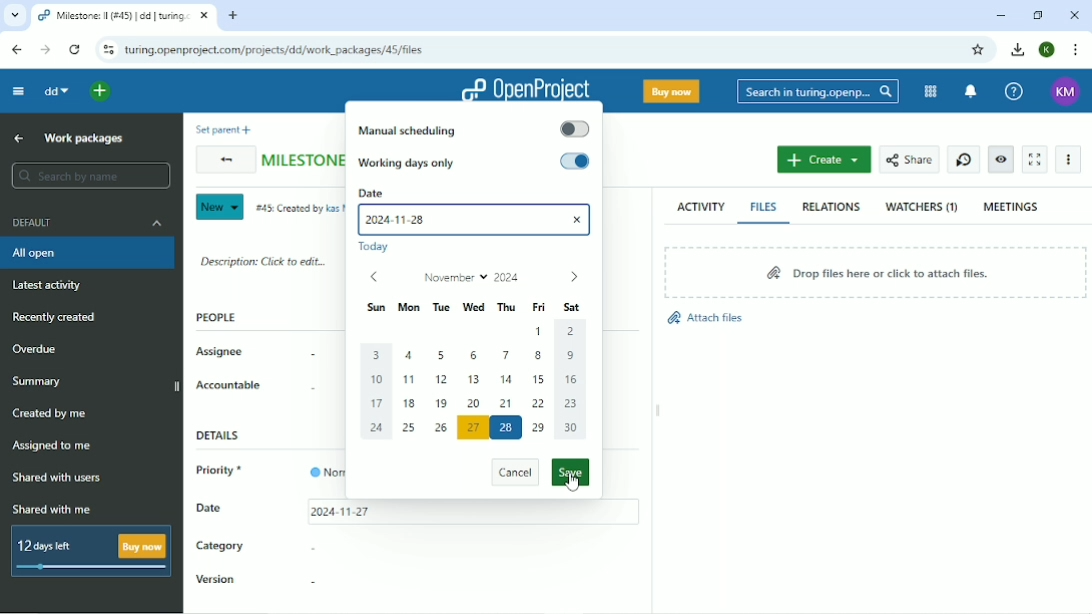 This screenshot has width=1092, height=614. Describe the element at coordinates (977, 50) in the screenshot. I see `Bookmark this tab` at that location.